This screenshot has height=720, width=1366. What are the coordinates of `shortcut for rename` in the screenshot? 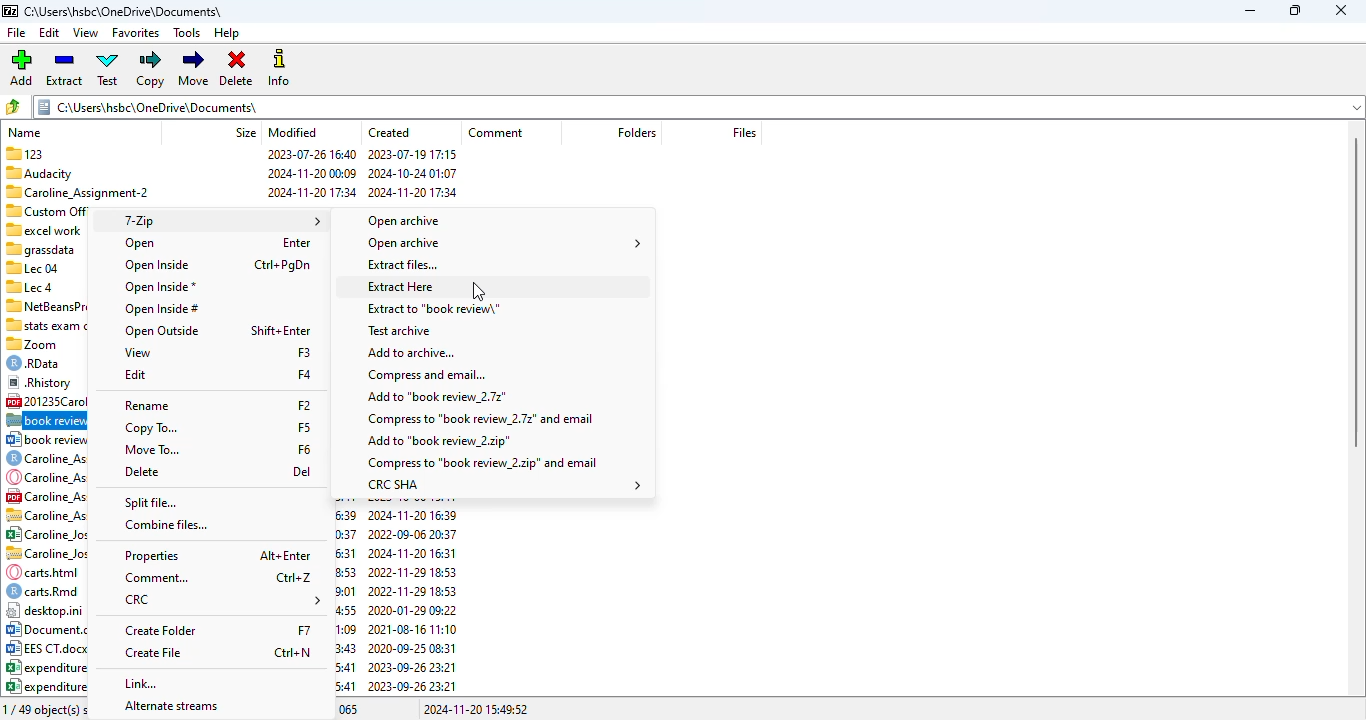 It's located at (304, 405).